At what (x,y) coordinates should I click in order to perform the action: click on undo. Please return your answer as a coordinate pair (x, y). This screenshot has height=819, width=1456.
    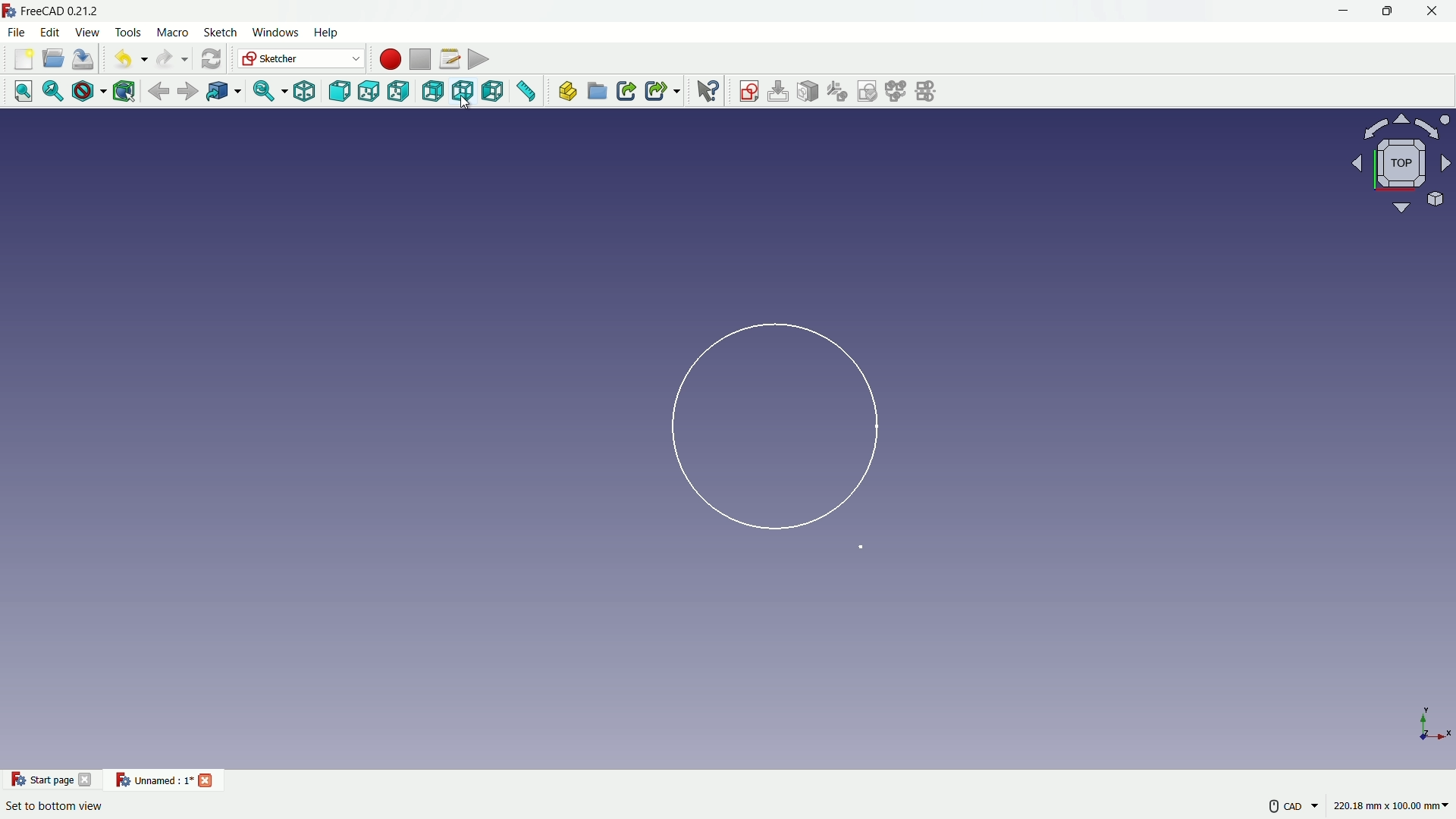
    Looking at the image, I should click on (127, 58).